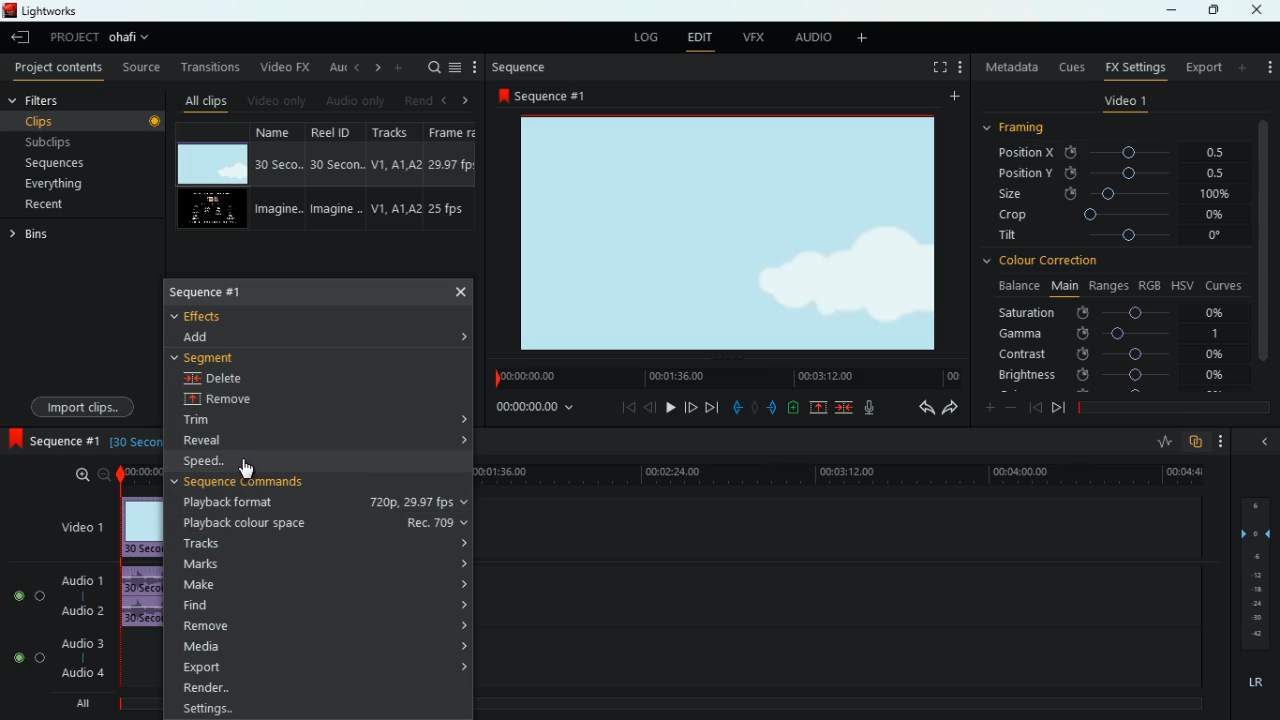  Describe the element at coordinates (1110, 355) in the screenshot. I see `contrast` at that location.